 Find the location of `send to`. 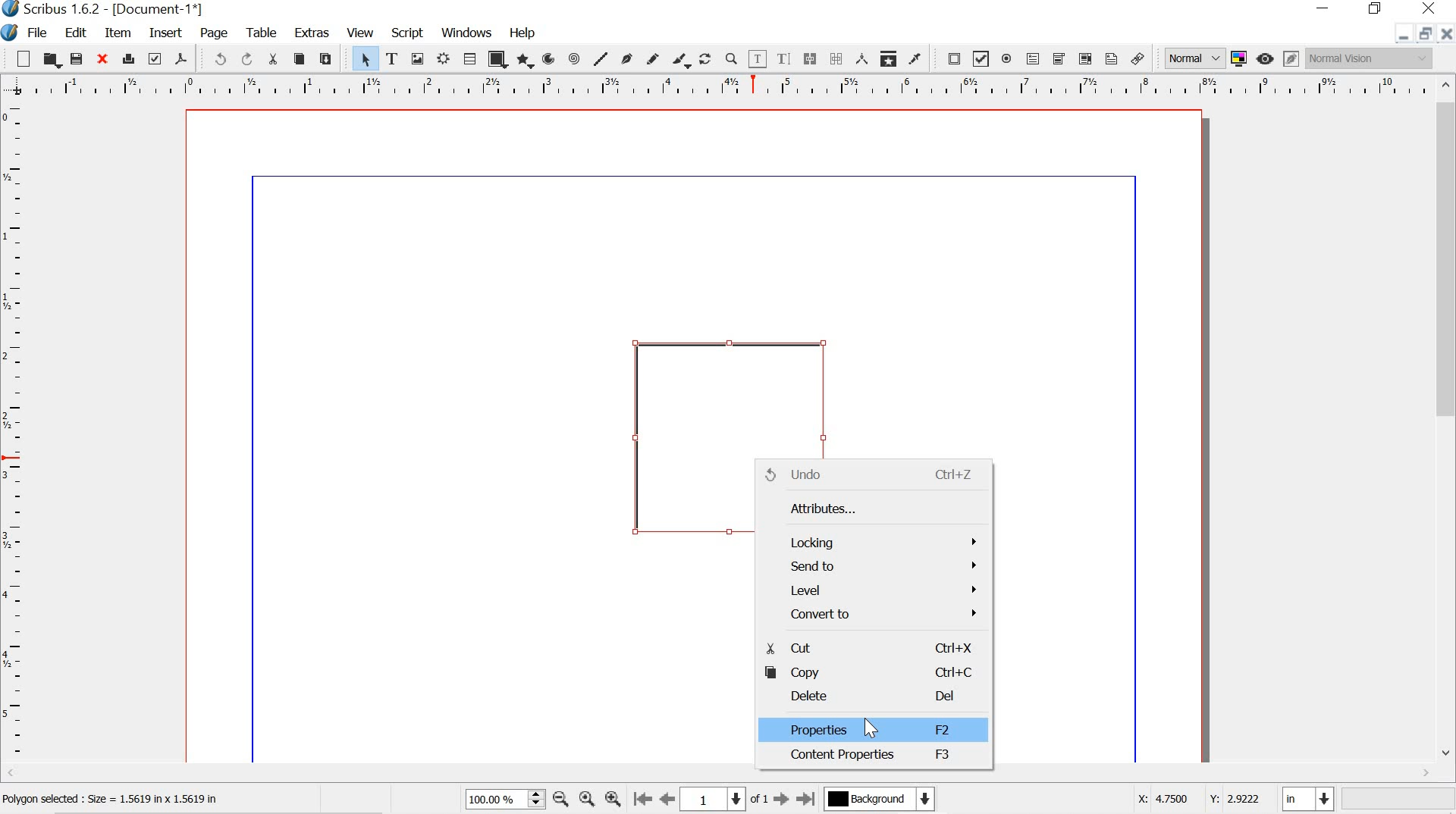

send to is located at coordinates (871, 568).